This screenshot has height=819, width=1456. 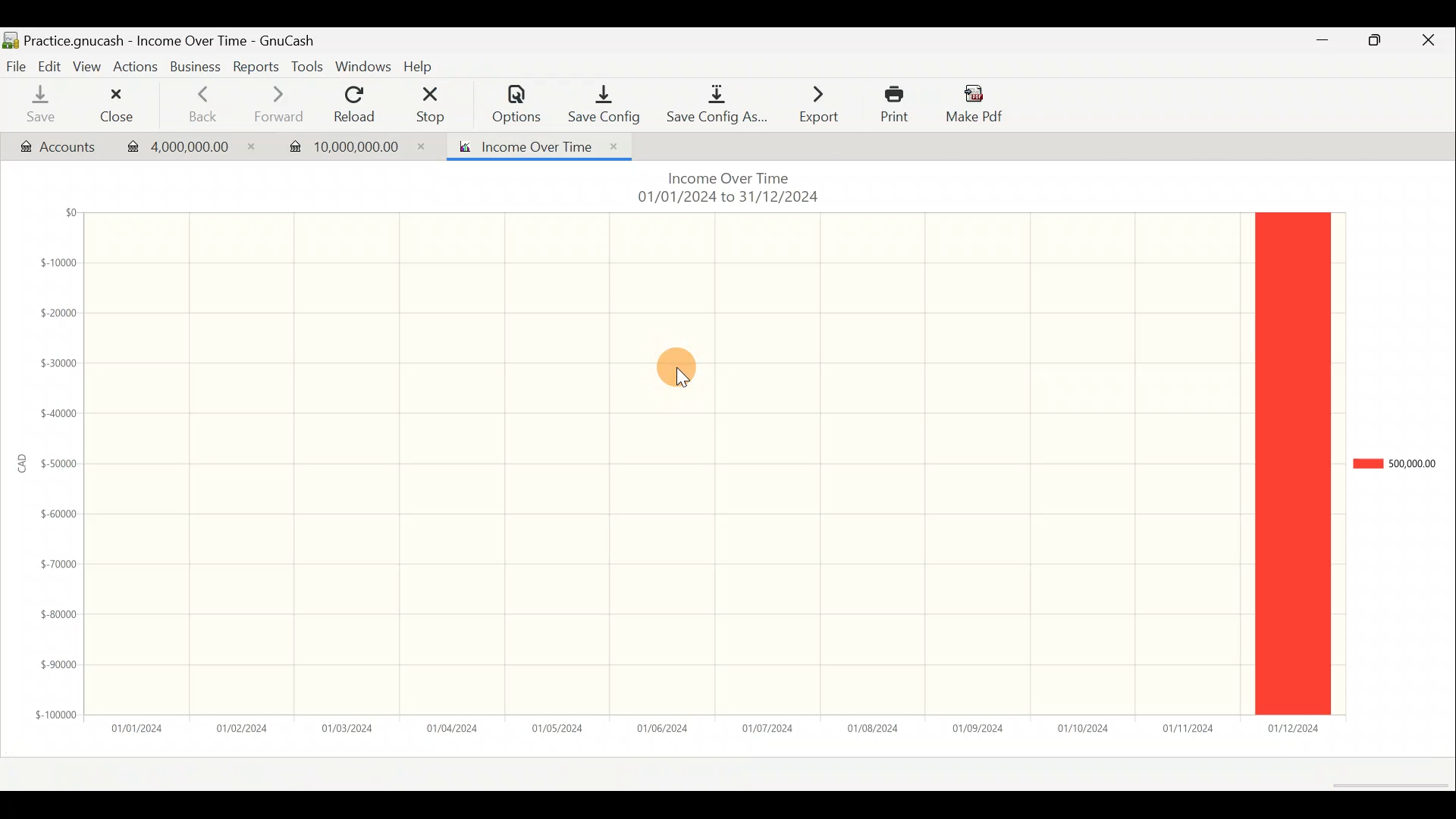 What do you see at coordinates (59, 614) in the screenshot?
I see `$-80000` at bounding box center [59, 614].